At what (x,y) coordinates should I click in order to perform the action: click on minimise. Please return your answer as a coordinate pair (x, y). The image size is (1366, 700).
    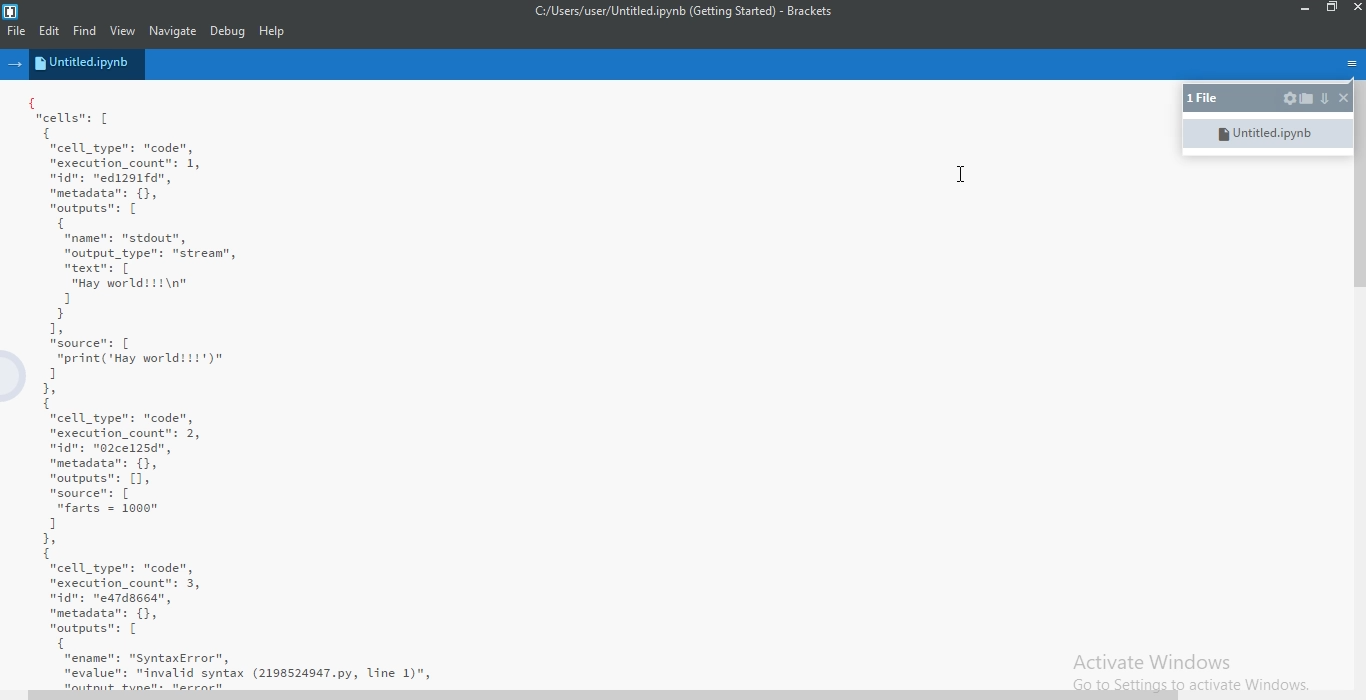
    Looking at the image, I should click on (1302, 9).